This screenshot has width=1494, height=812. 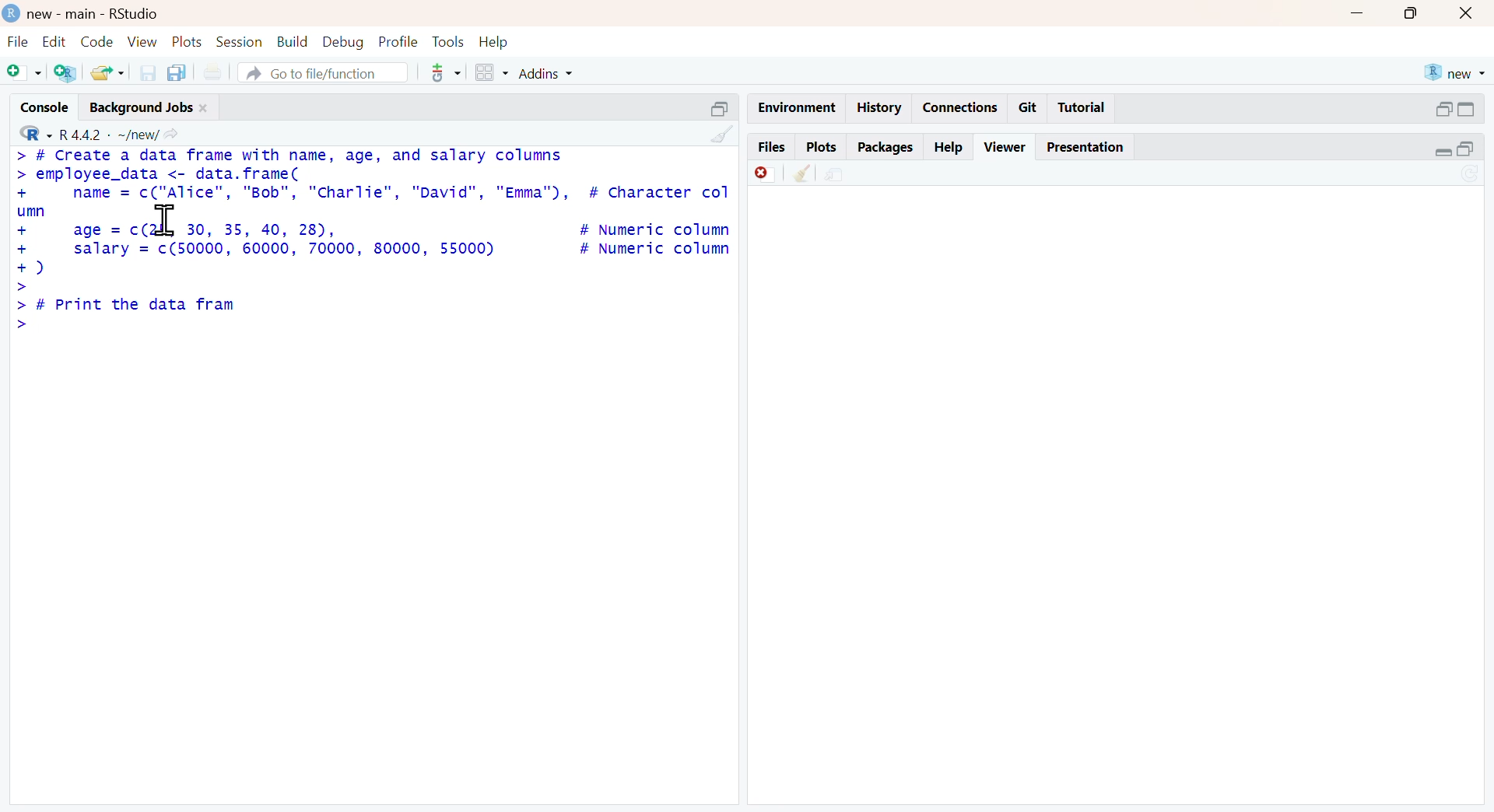 I want to click on Addins , so click(x=569, y=73).